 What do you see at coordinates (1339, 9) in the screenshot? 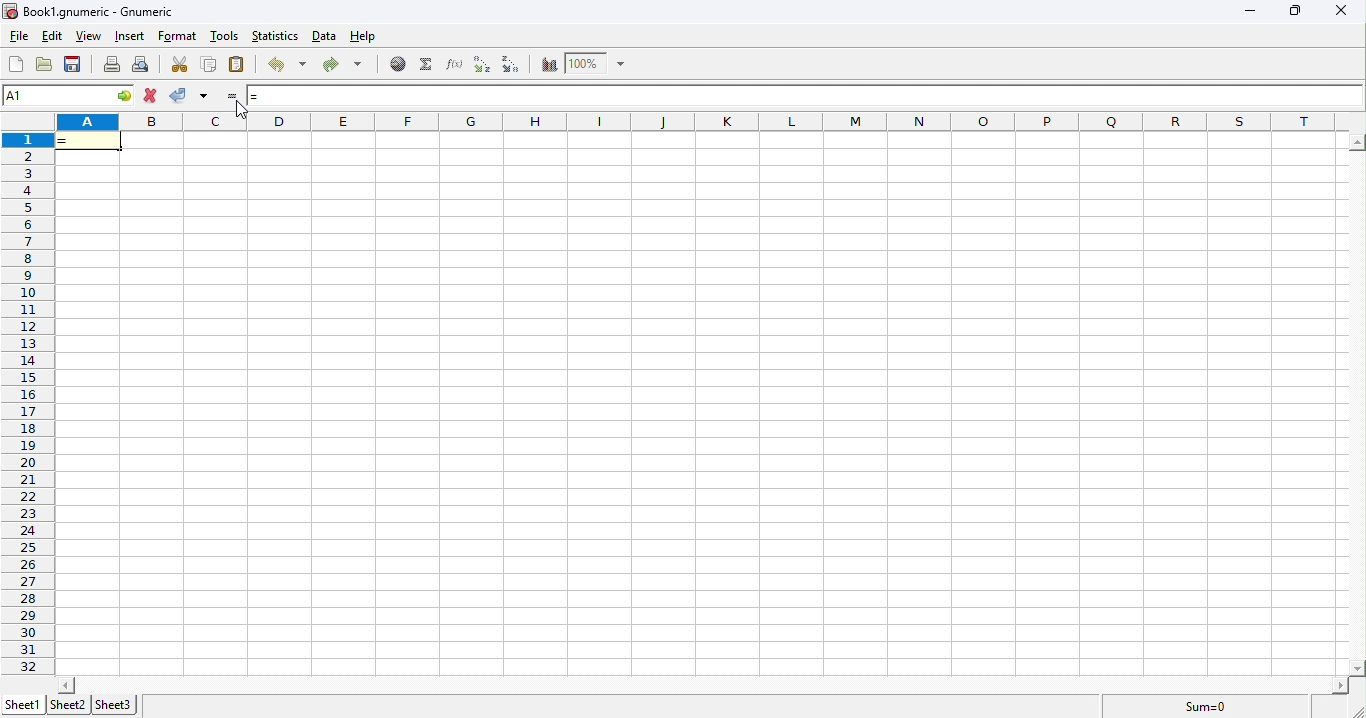
I see `close` at bounding box center [1339, 9].